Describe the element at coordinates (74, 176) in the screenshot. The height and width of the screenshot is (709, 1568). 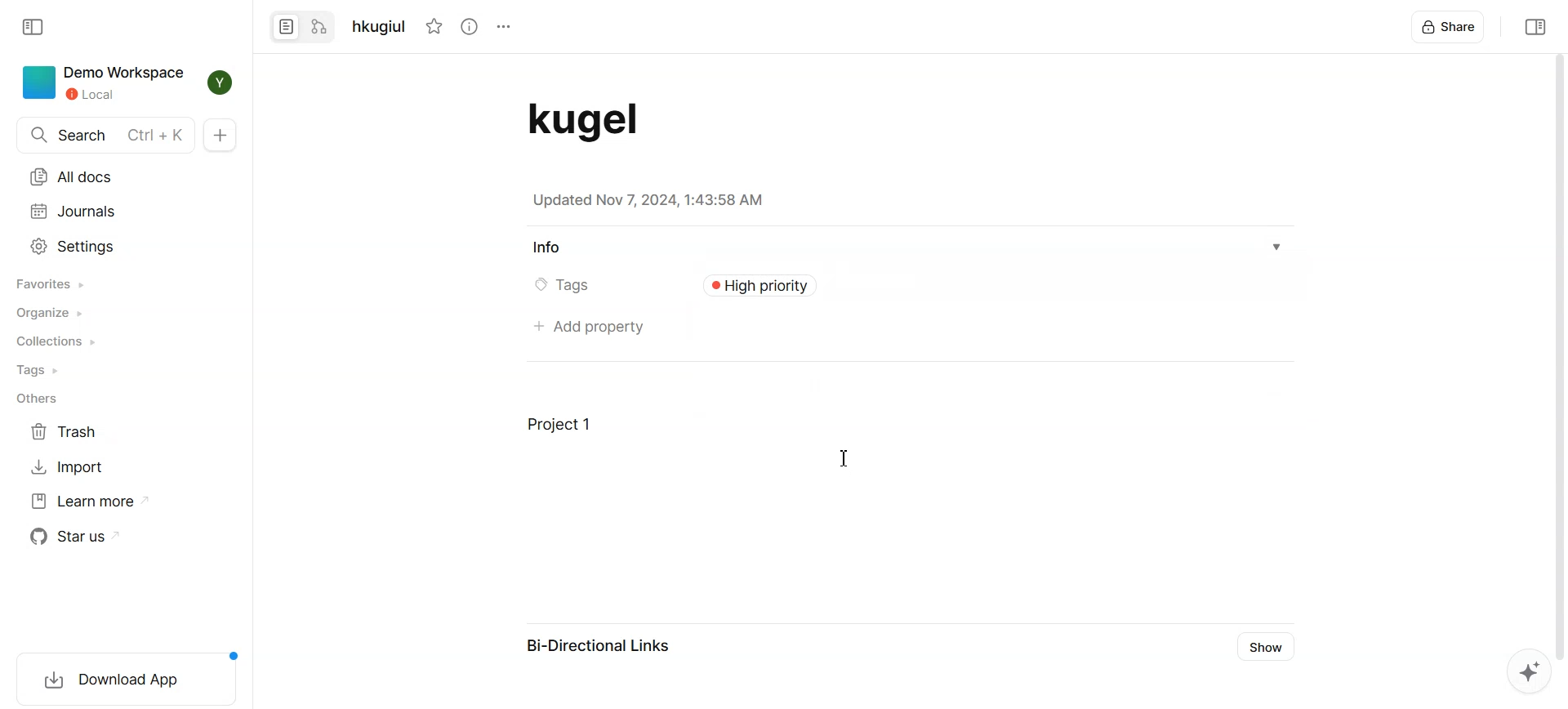
I see `All docs` at that location.